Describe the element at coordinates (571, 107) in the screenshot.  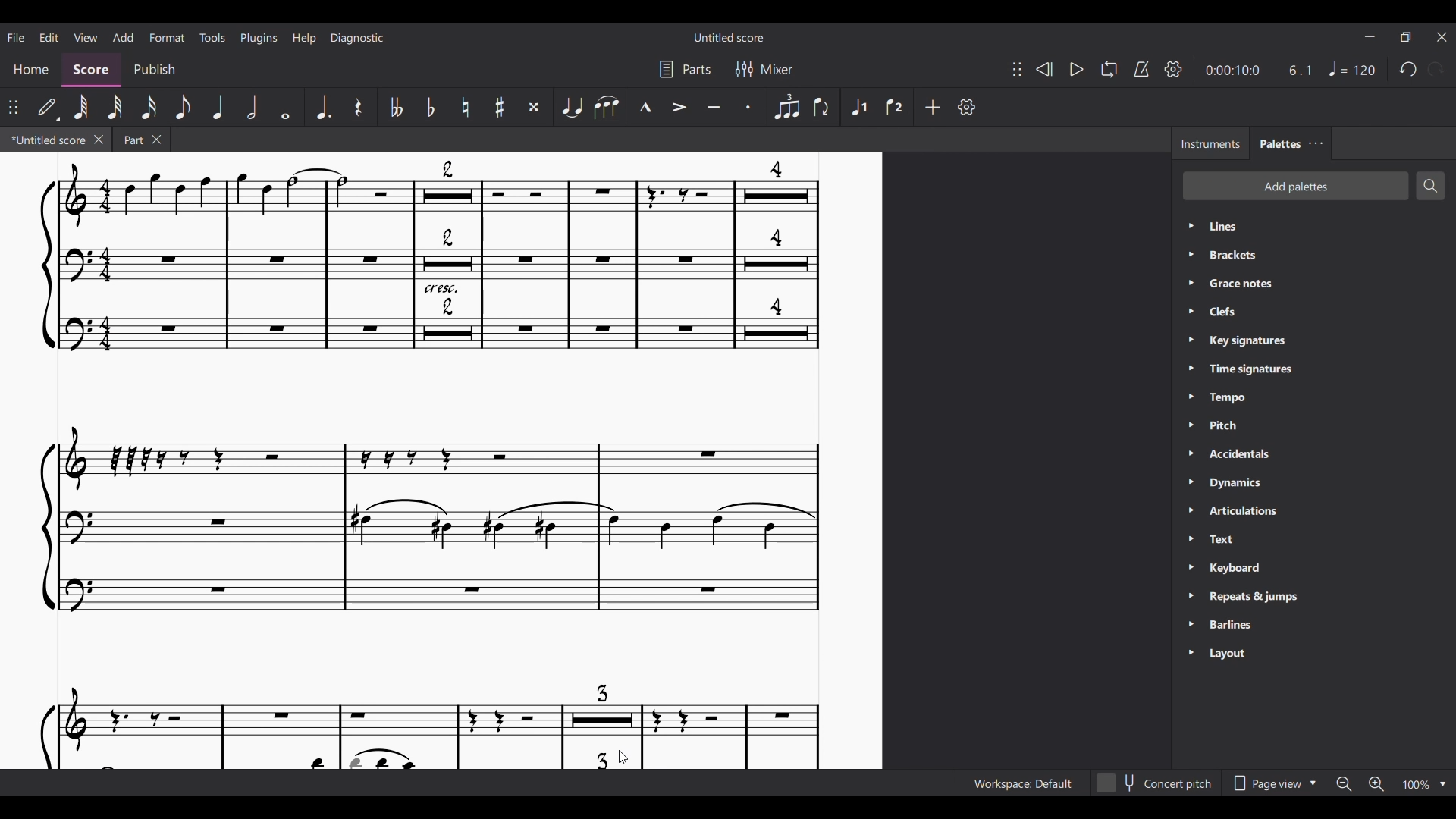
I see `Tie` at that location.